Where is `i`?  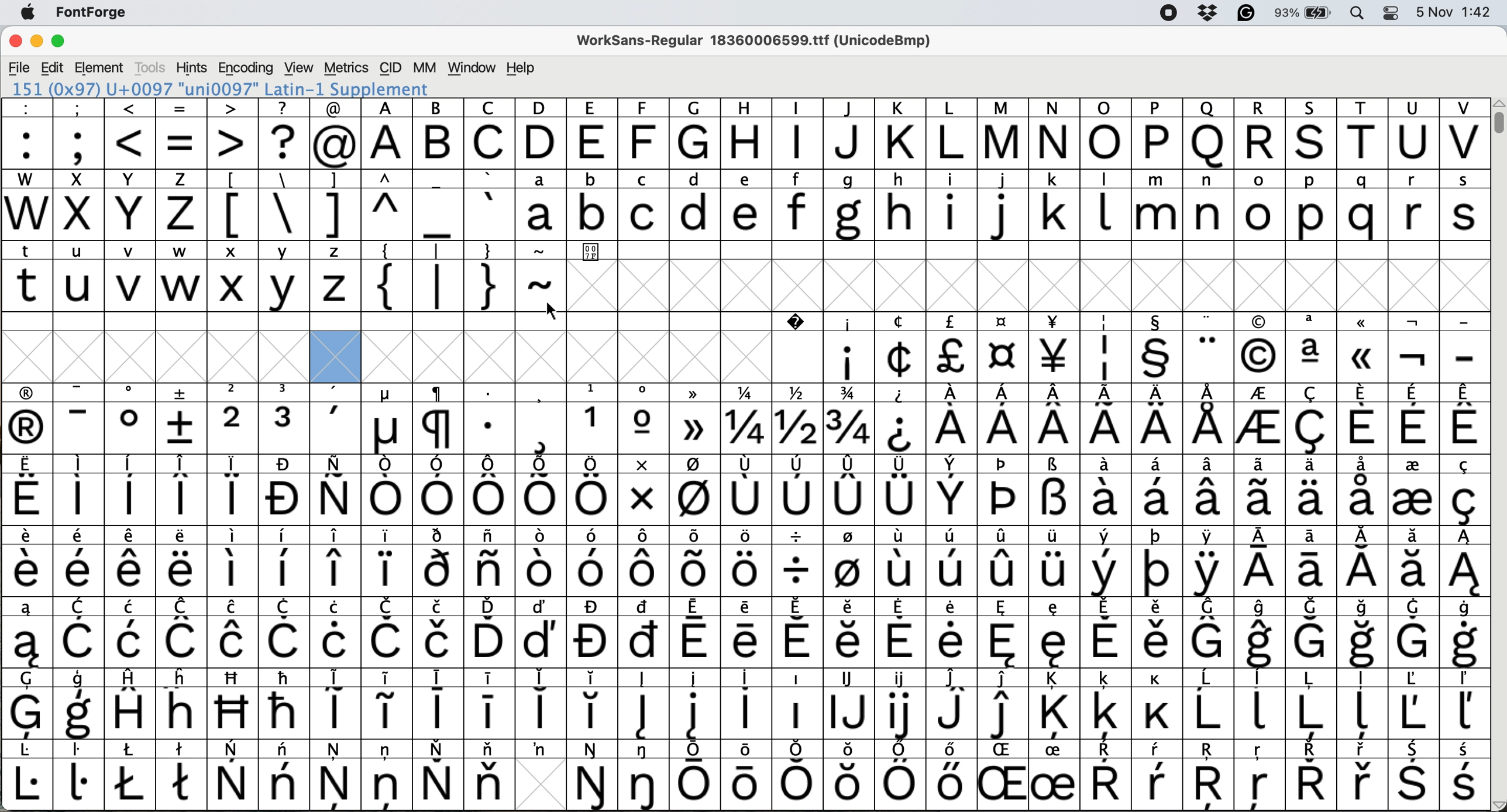
i is located at coordinates (952, 206).